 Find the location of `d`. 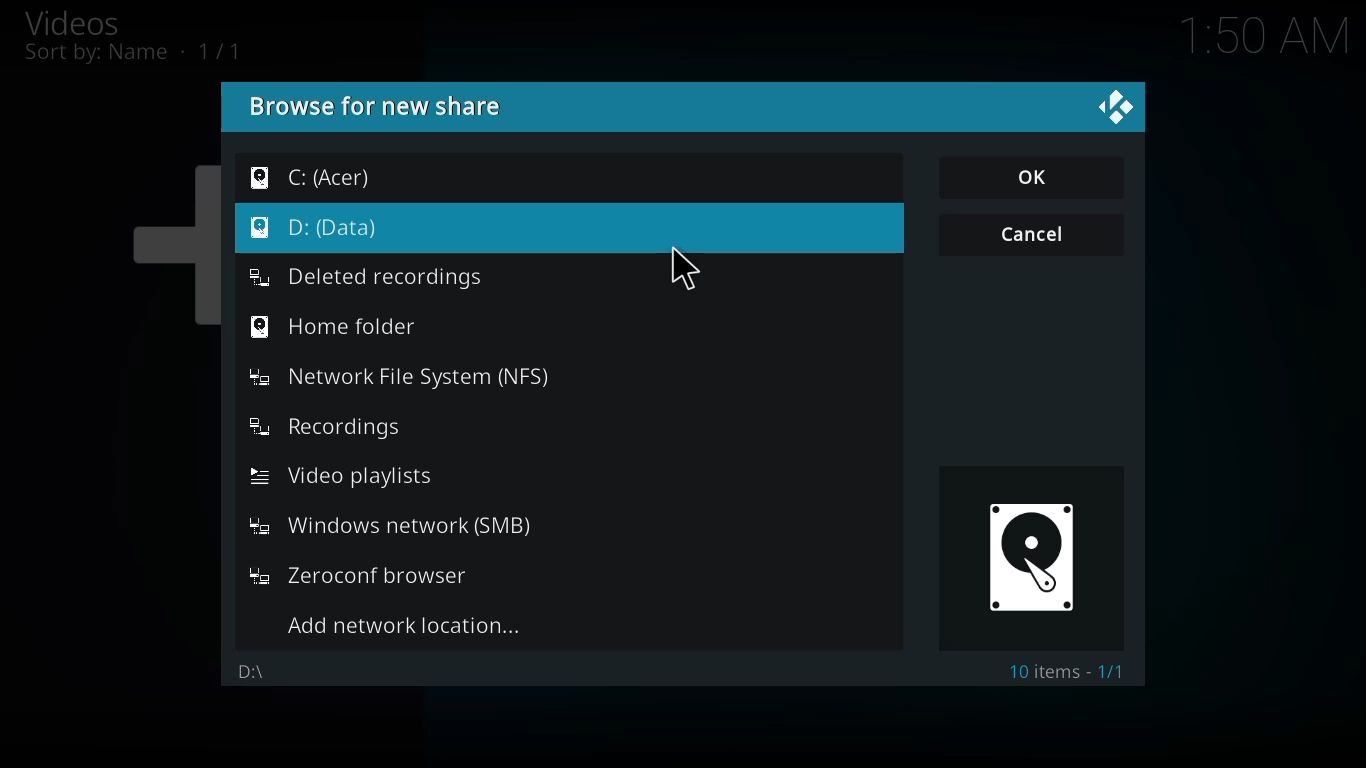

d is located at coordinates (310, 228).